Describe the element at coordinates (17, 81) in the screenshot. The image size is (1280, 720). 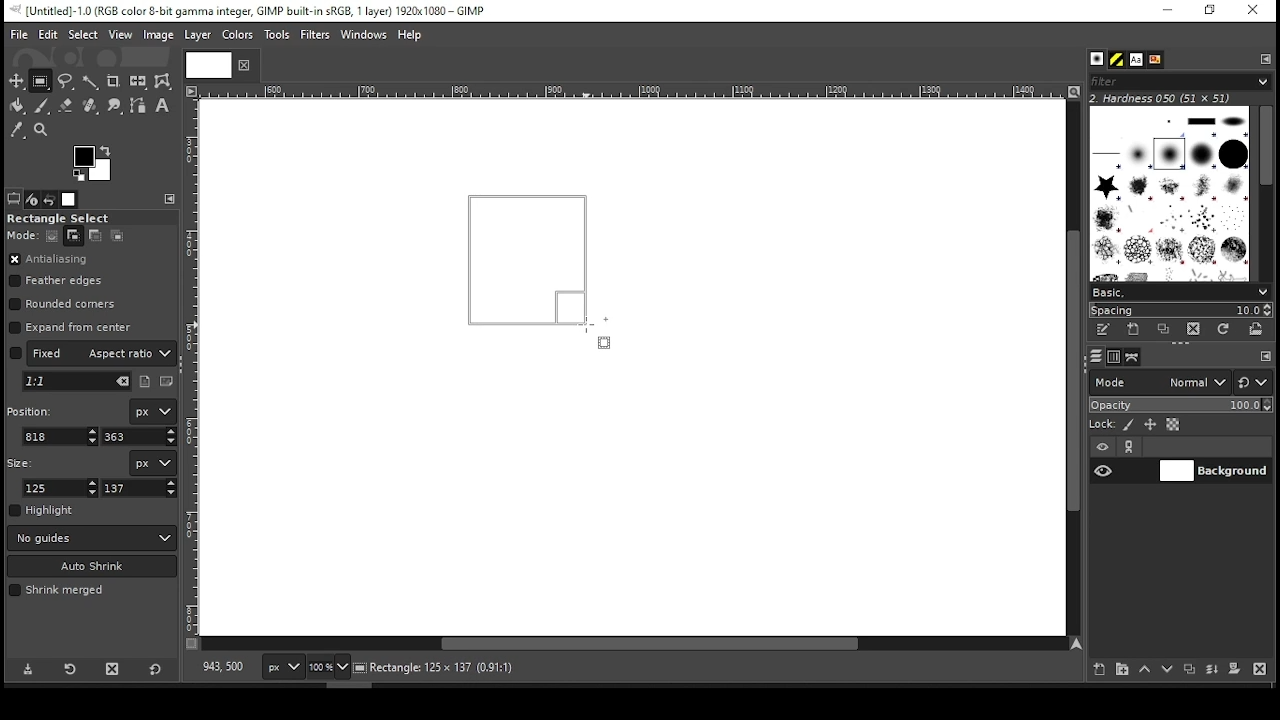
I see `selection tool` at that location.